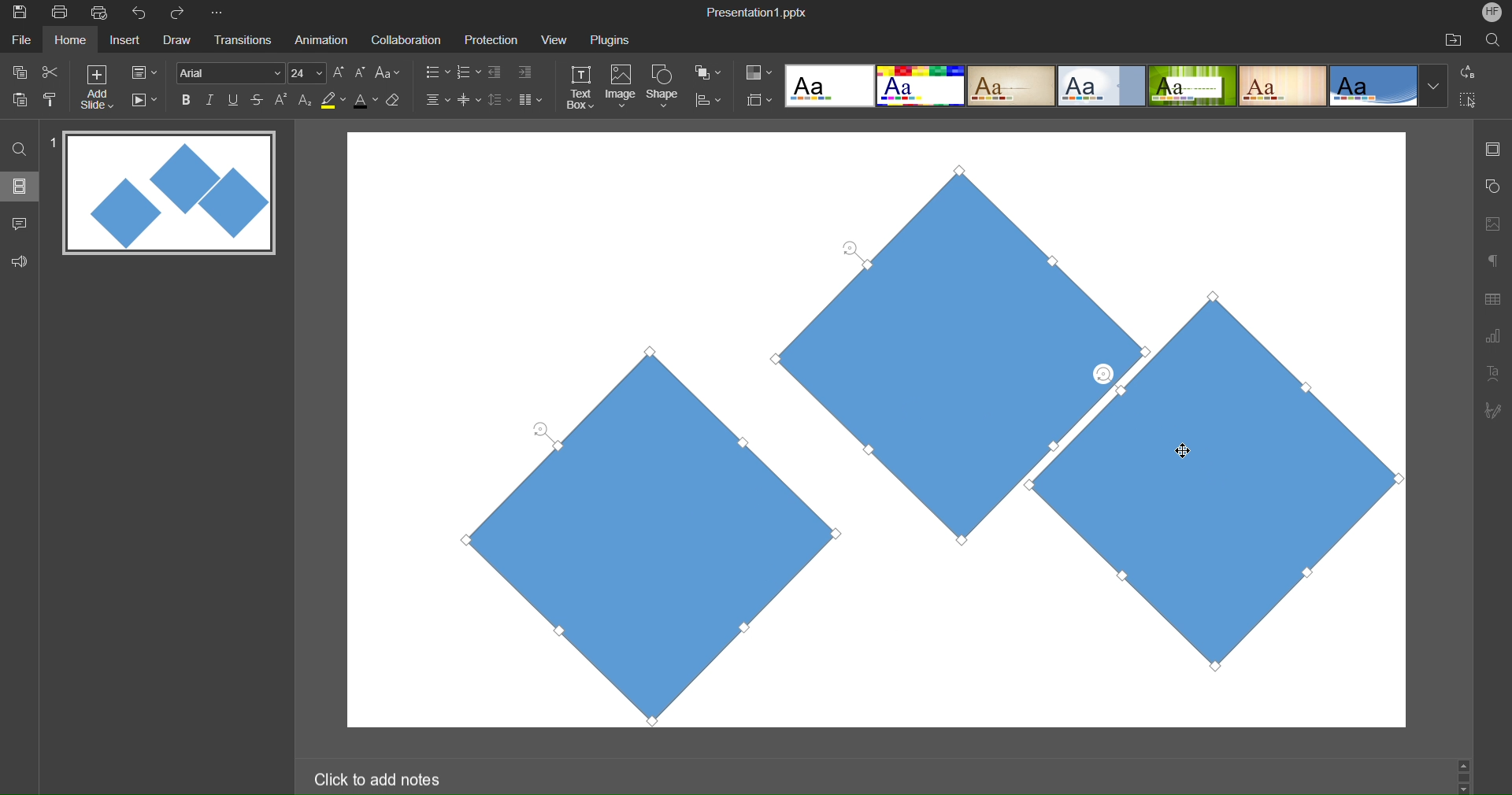 The height and width of the screenshot is (795, 1512). What do you see at coordinates (102, 13) in the screenshot?
I see `Quick Print` at bounding box center [102, 13].